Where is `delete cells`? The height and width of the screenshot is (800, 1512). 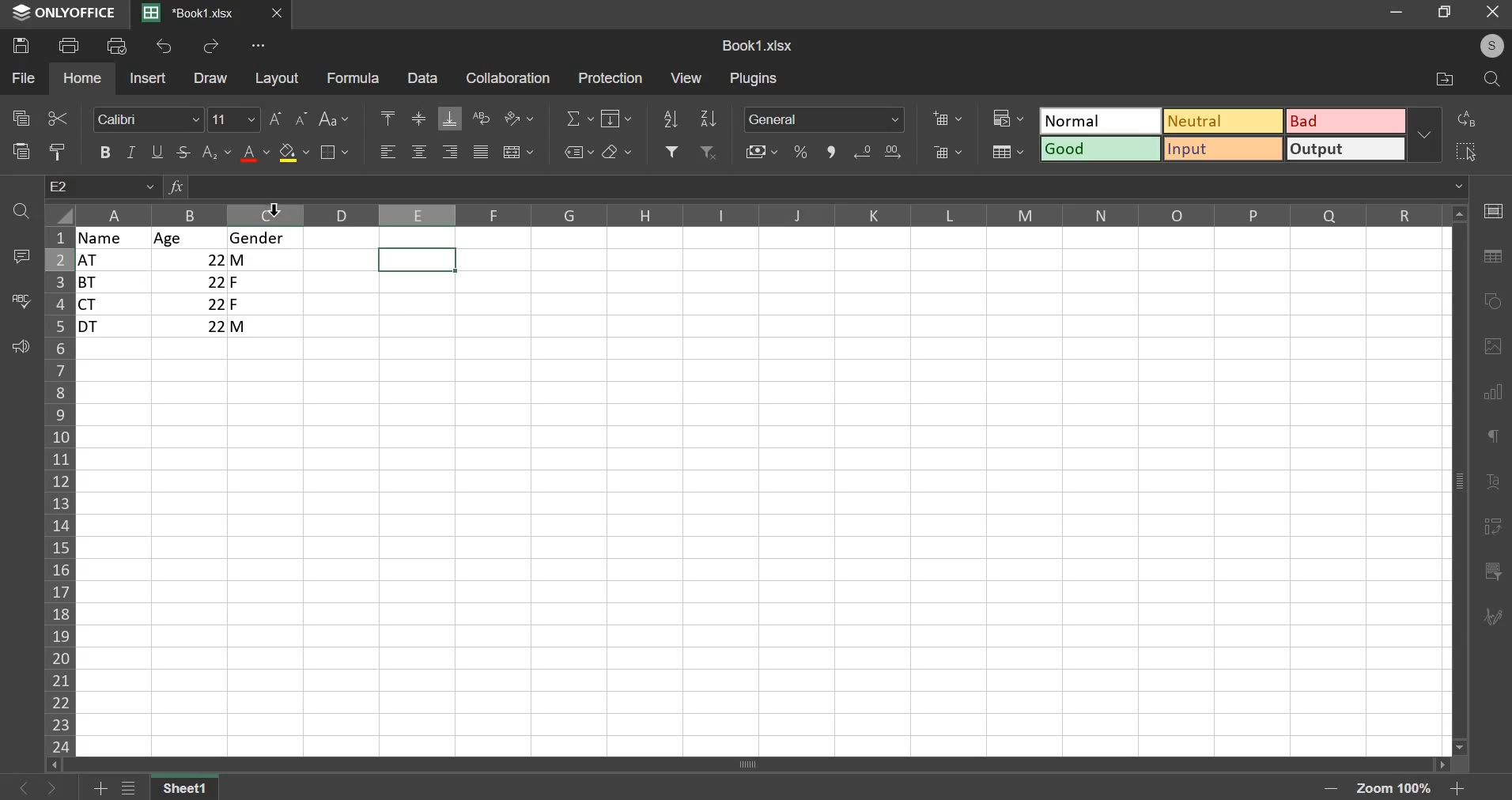
delete cells is located at coordinates (946, 152).